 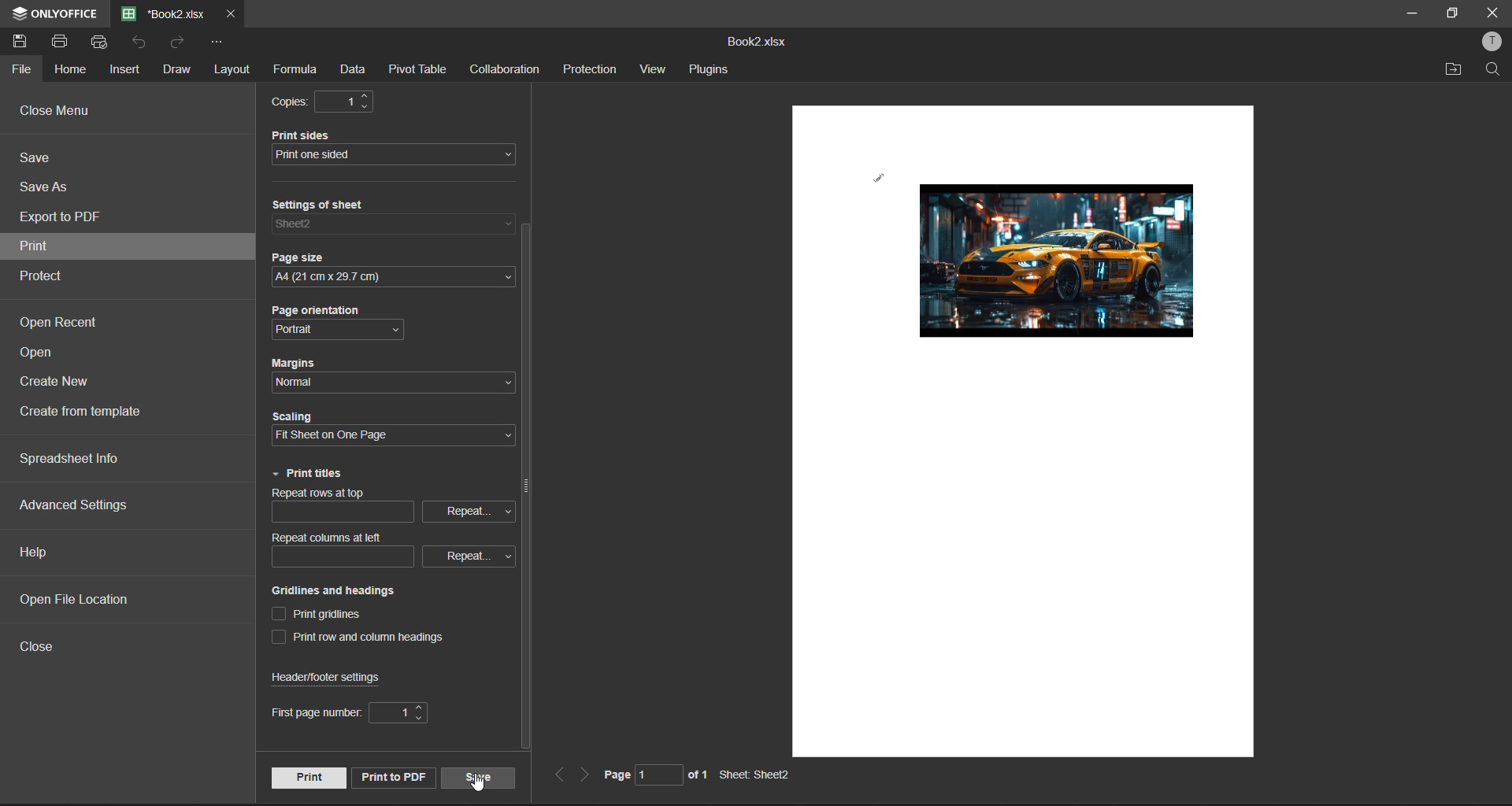 What do you see at coordinates (102, 43) in the screenshot?
I see `quick print` at bounding box center [102, 43].